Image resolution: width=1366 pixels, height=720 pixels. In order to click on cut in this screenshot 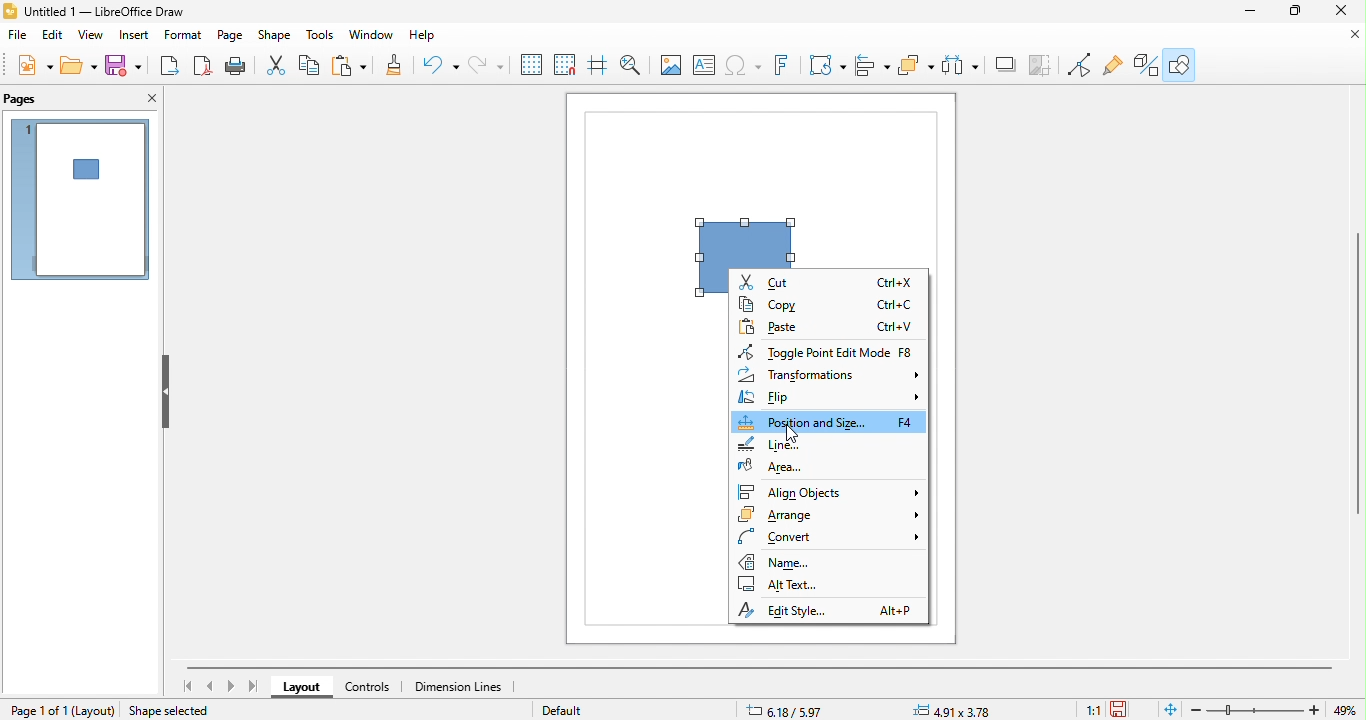, I will do `click(279, 67)`.